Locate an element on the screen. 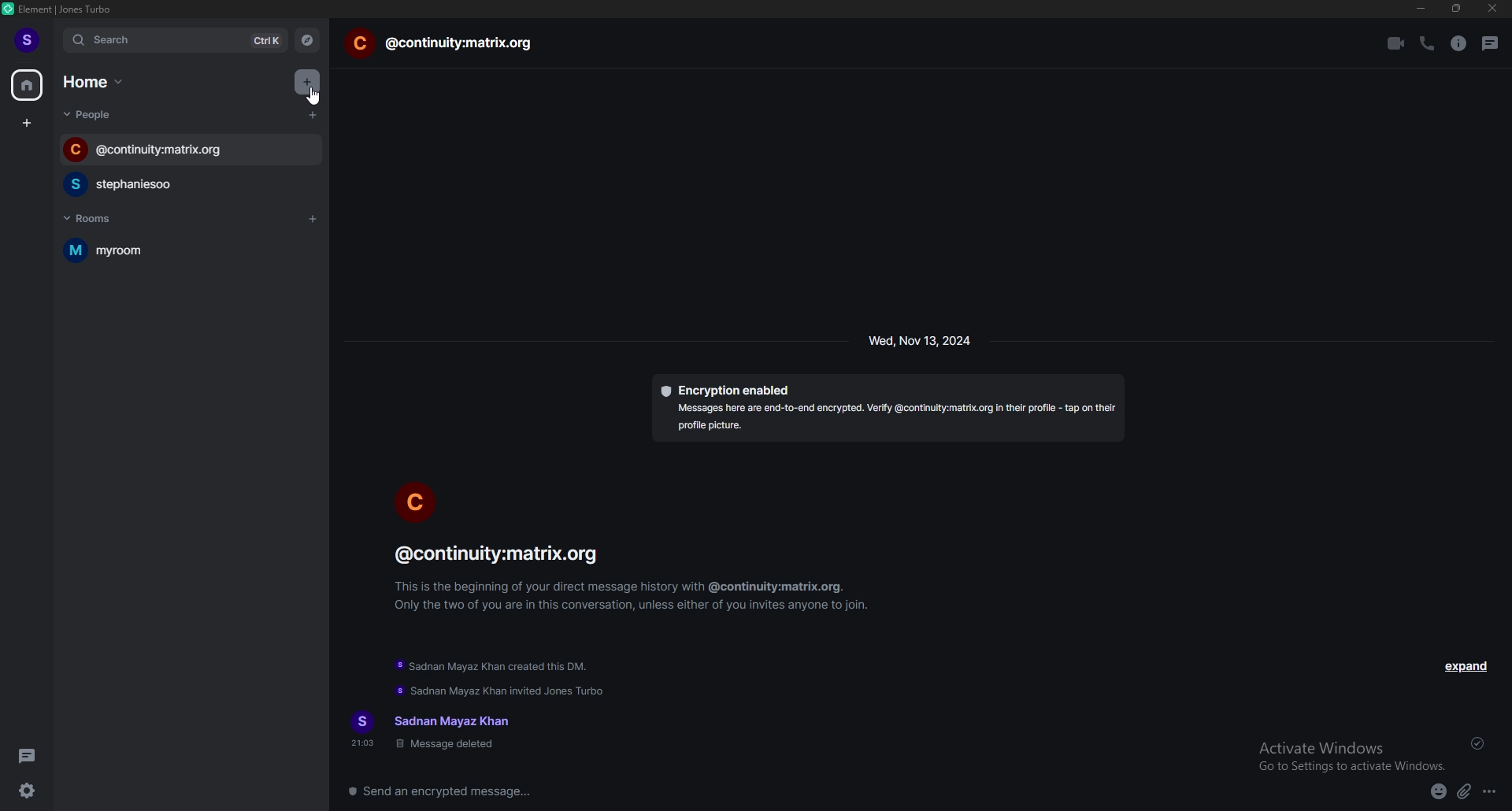 The height and width of the screenshot is (811, 1512). create space is located at coordinates (28, 124).